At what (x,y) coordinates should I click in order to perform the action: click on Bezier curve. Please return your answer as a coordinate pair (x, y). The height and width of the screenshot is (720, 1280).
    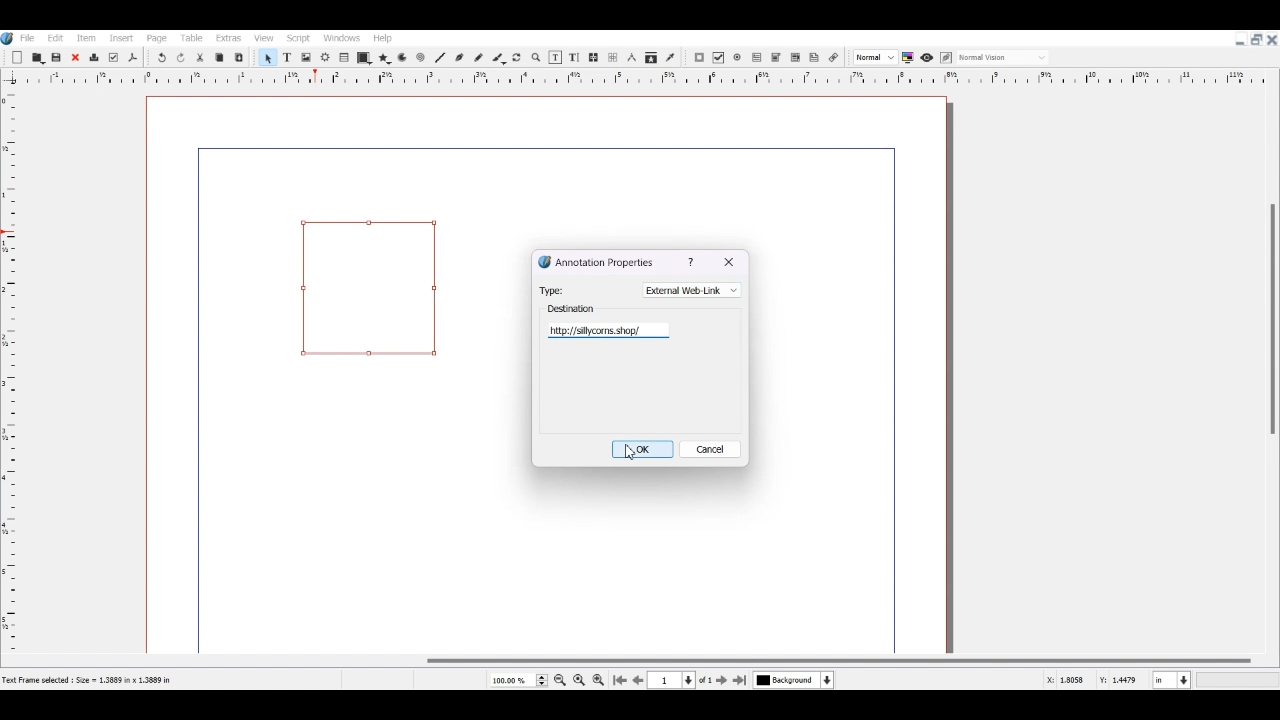
    Looking at the image, I should click on (459, 57).